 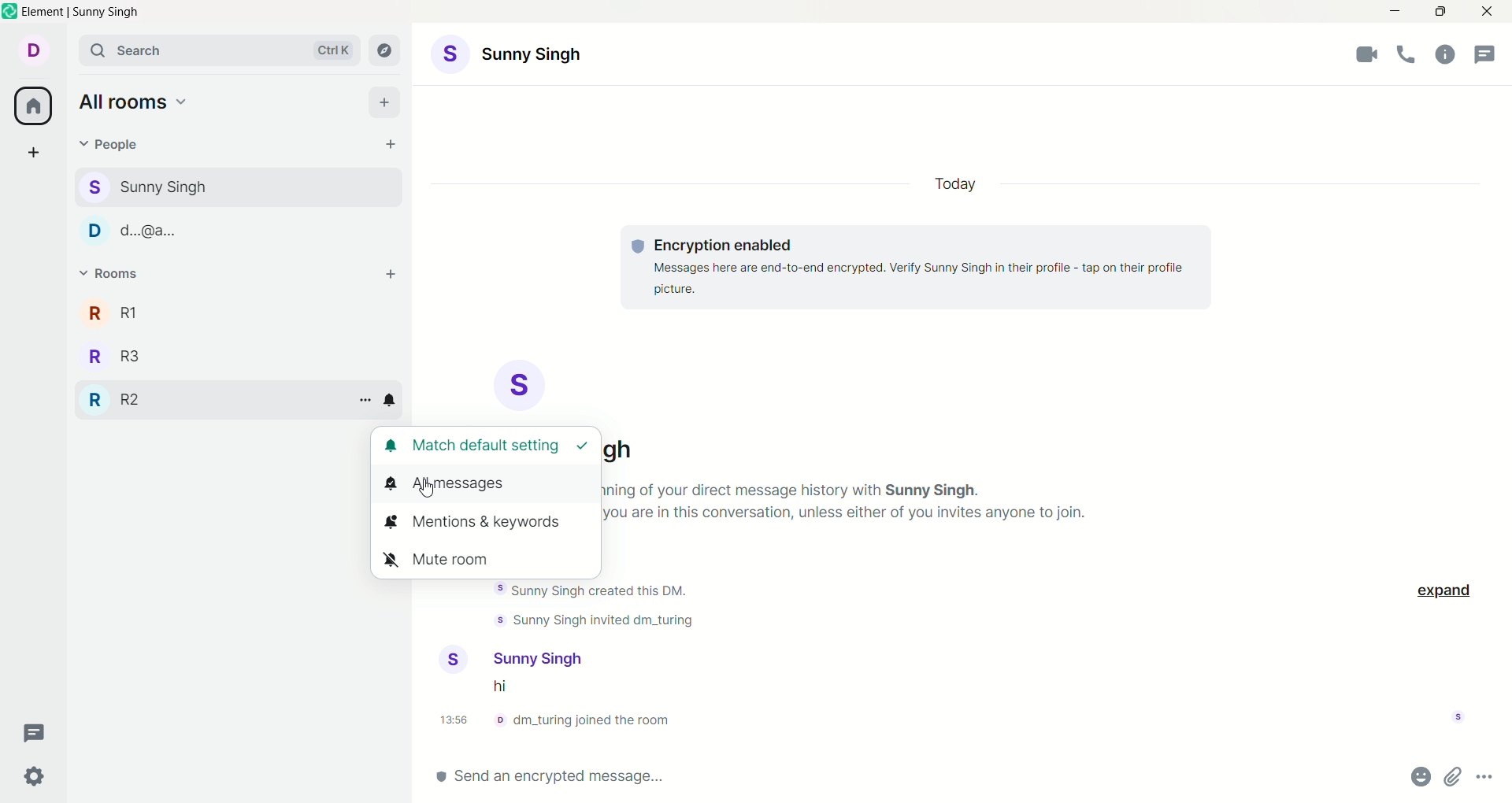 What do you see at coordinates (458, 721) in the screenshot?
I see `time` at bounding box center [458, 721].